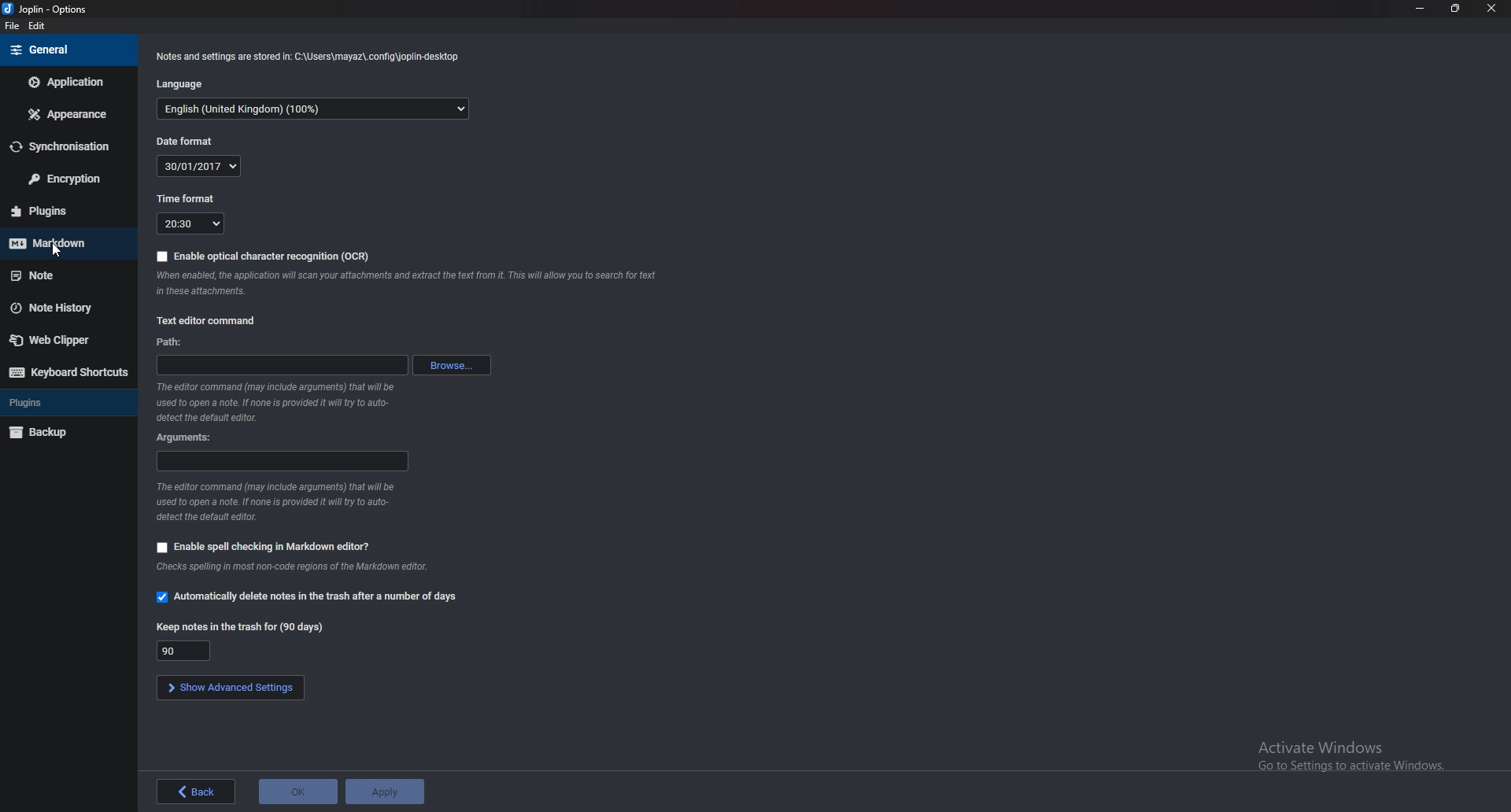  What do you see at coordinates (190, 223) in the screenshot?
I see `20:30` at bounding box center [190, 223].